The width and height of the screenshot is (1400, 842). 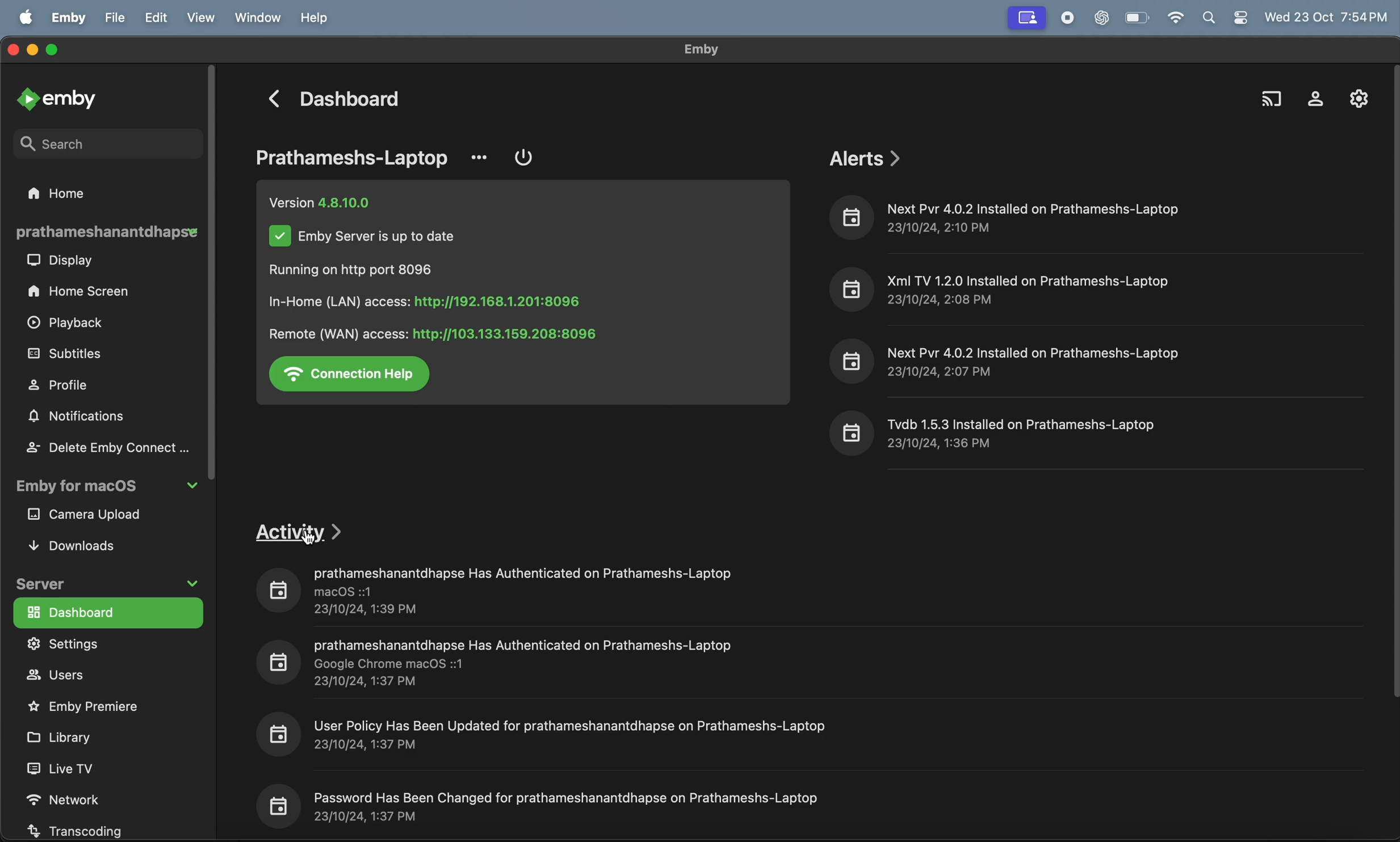 What do you see at coordinates (102, 516) in the screenshot?
I see `camera upload` at bounding box center [102, 516].